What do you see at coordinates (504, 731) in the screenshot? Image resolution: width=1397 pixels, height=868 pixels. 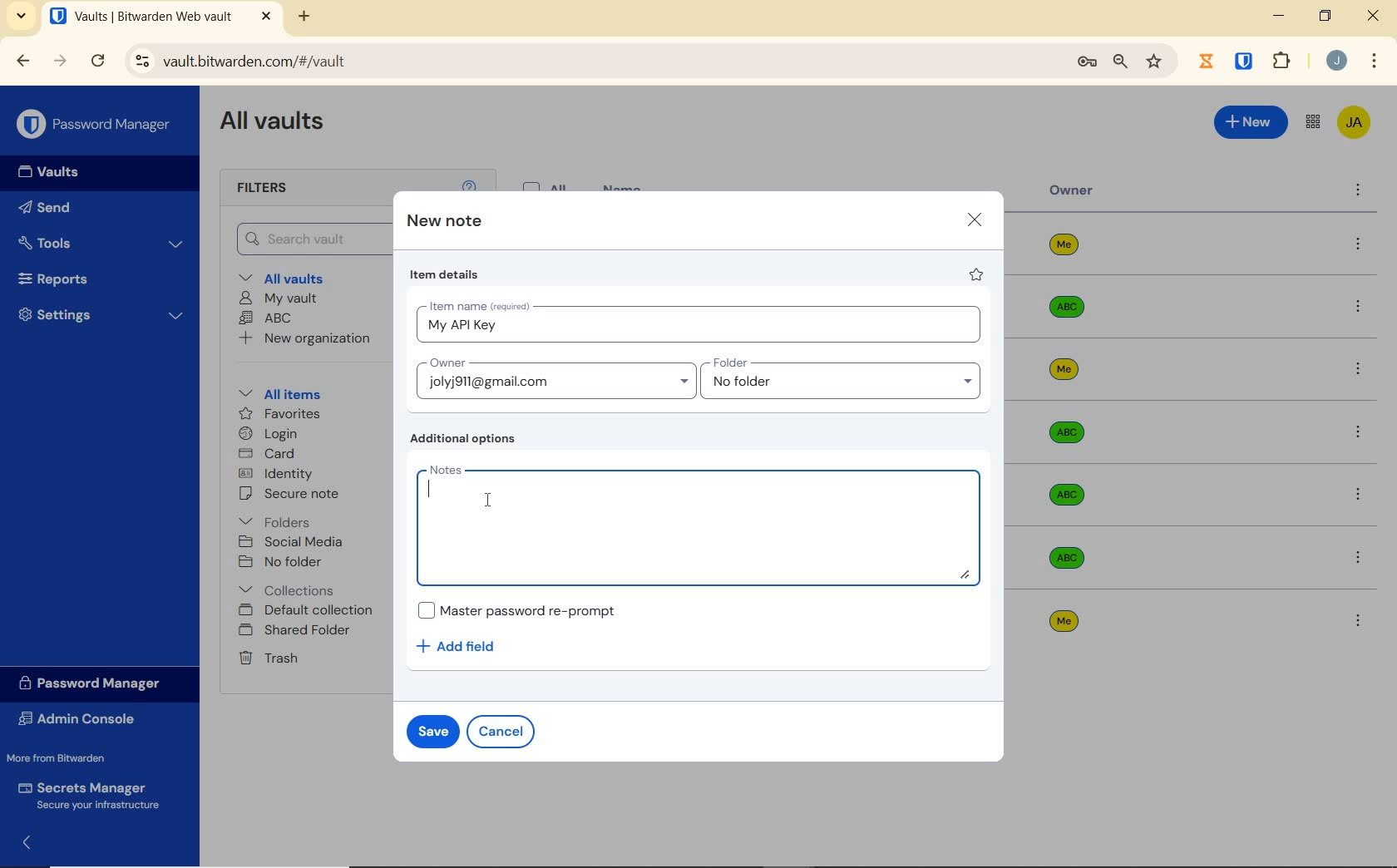 I see `cancel` at bounding box center [504, 731].